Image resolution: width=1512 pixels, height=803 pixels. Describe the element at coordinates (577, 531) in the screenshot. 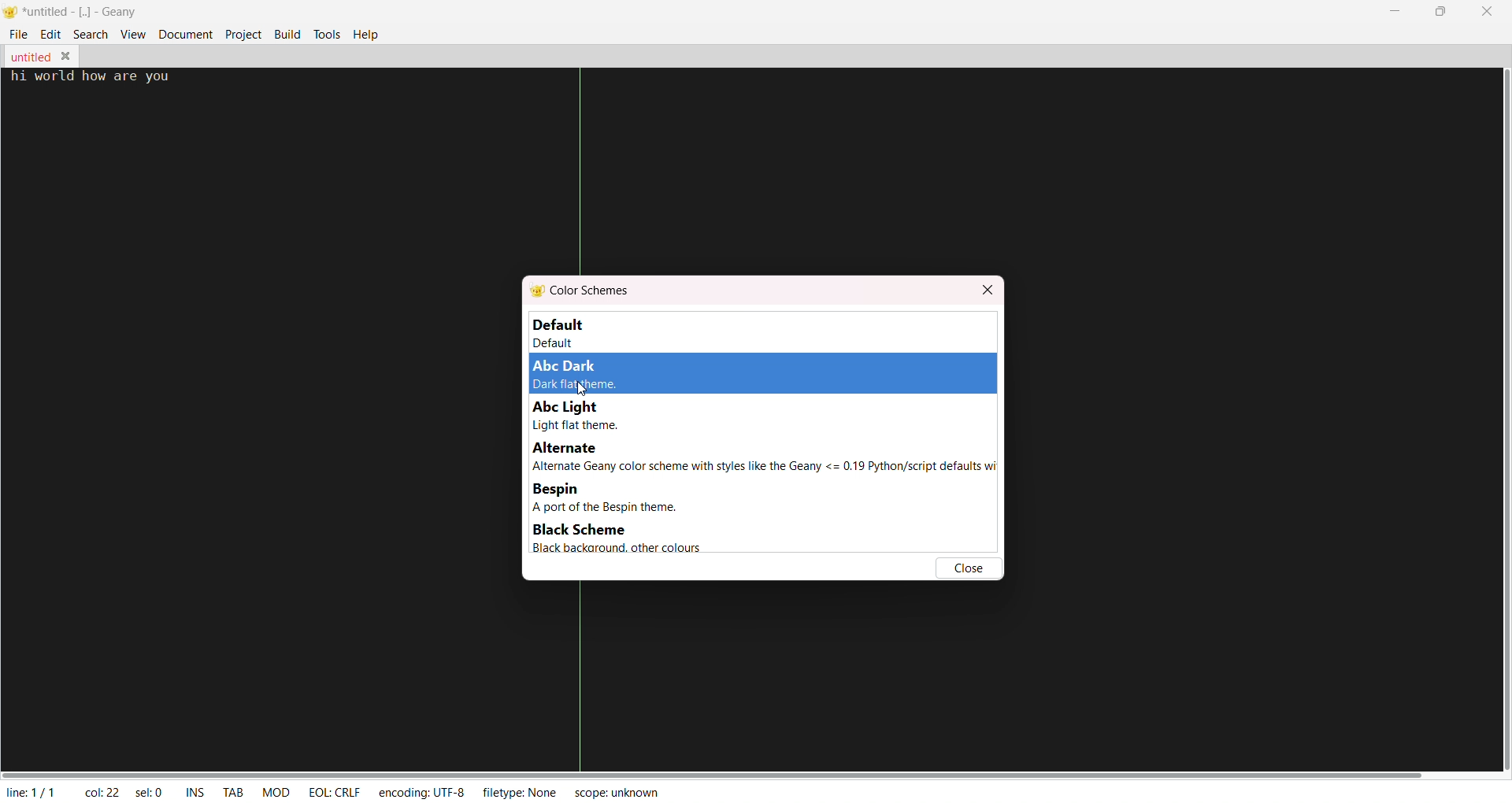

I see `black scheme` at that location.